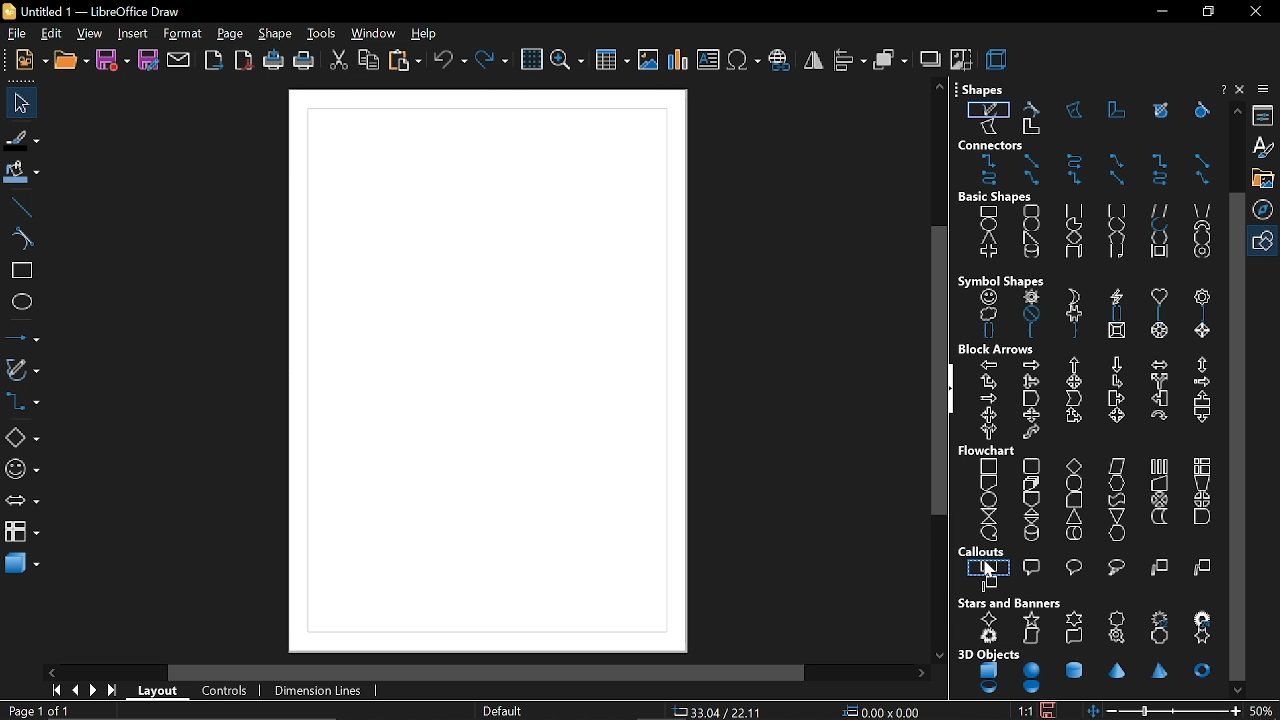 The height and width of the screenshot is (720, 1280). I want to click on merge, so click(1117, 515).